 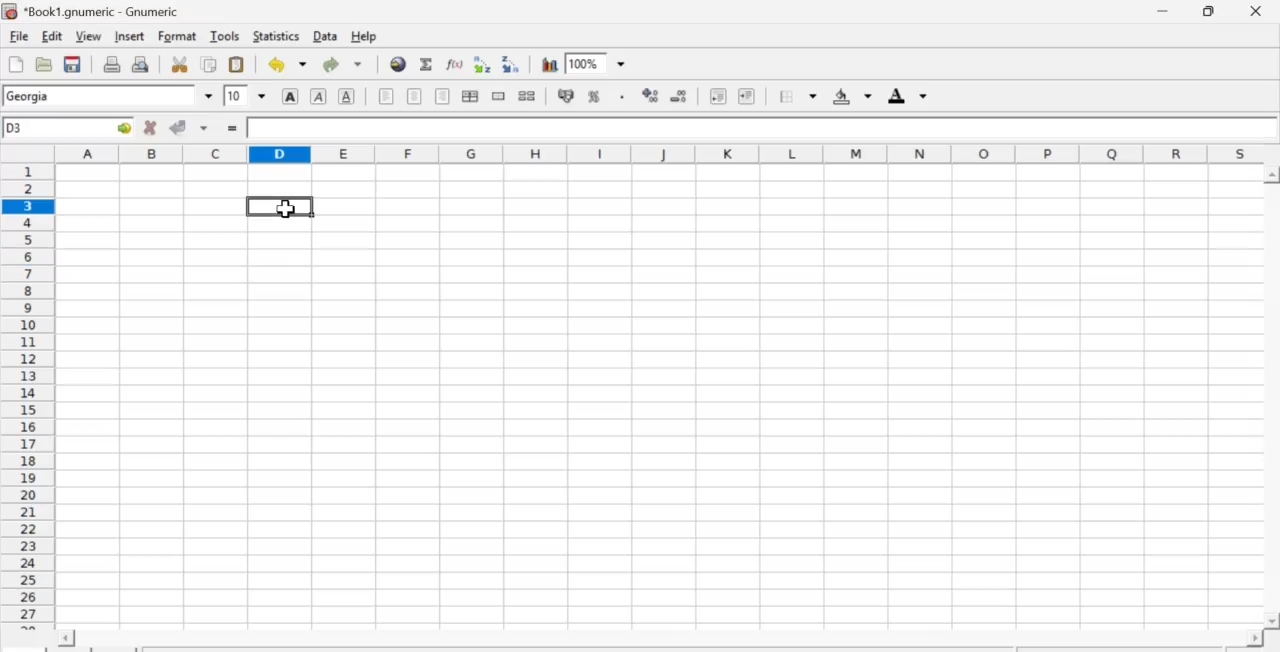 What do you see at coordinates (180, 64) in the screenshot?
I see `Cut` at bounding box center [180, 64].